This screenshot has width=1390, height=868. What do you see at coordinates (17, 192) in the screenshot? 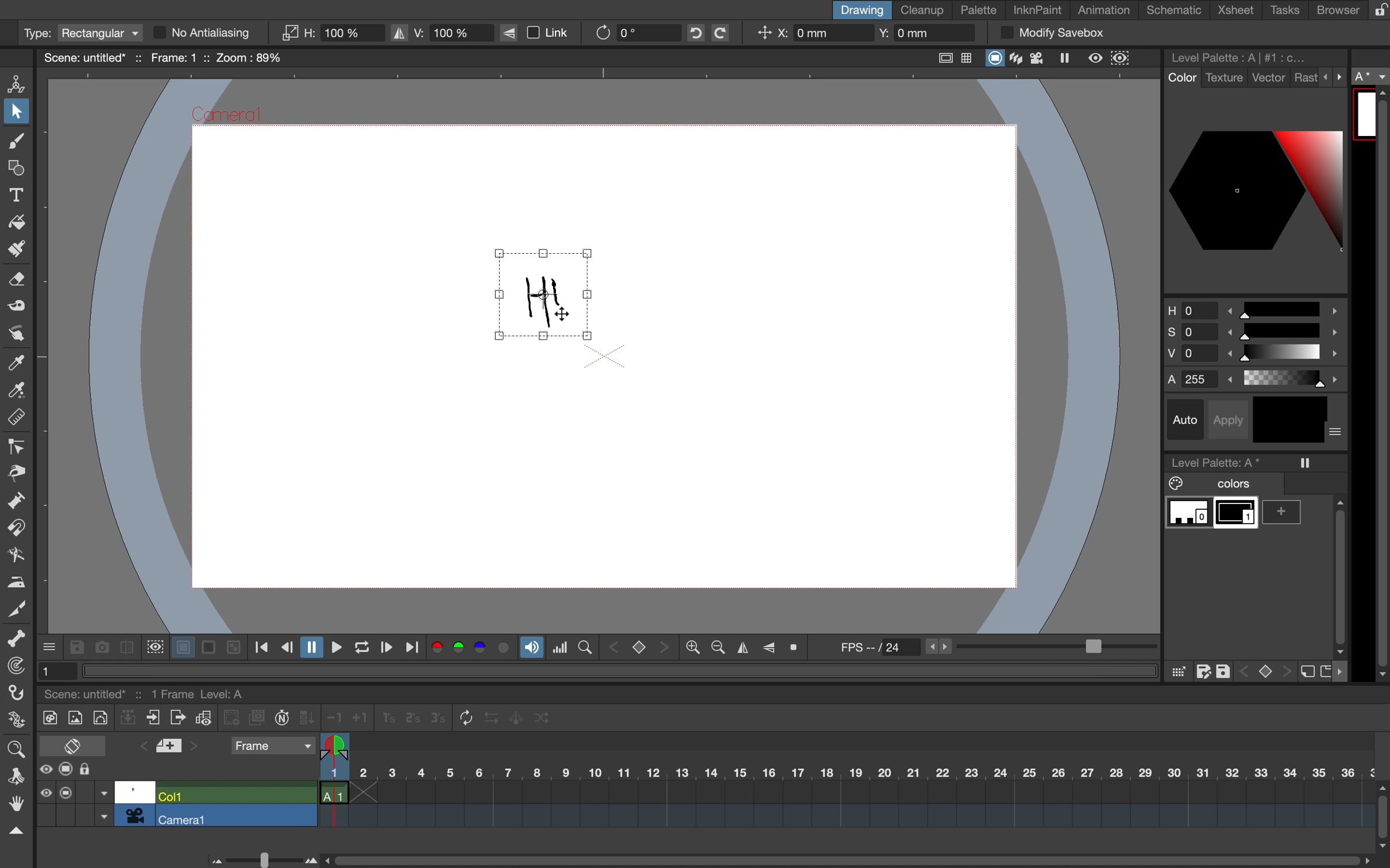
I see `type tool` at bounding box center [17, 192].